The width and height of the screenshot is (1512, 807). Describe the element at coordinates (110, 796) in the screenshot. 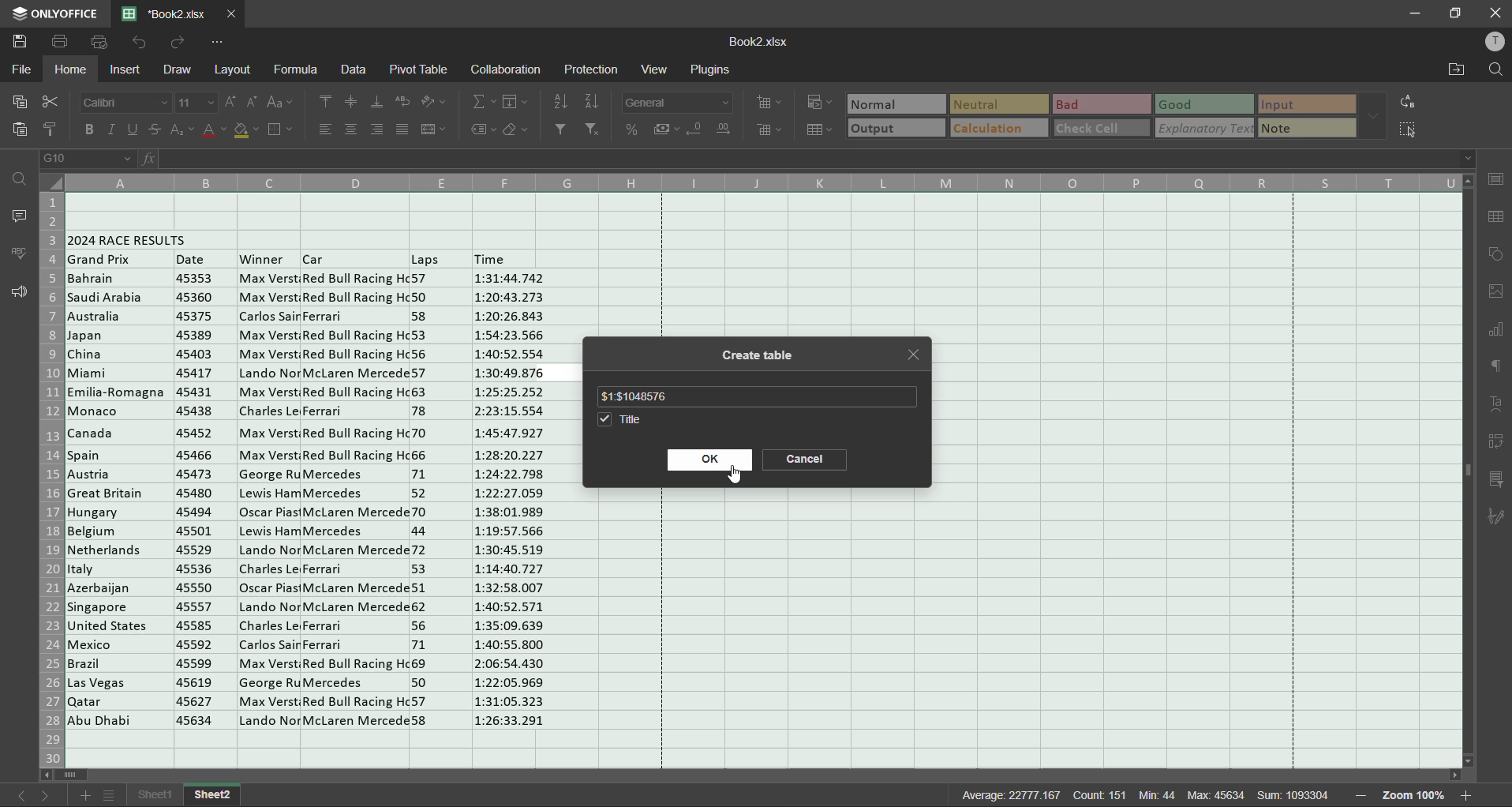

I see `sheet list` at that location.